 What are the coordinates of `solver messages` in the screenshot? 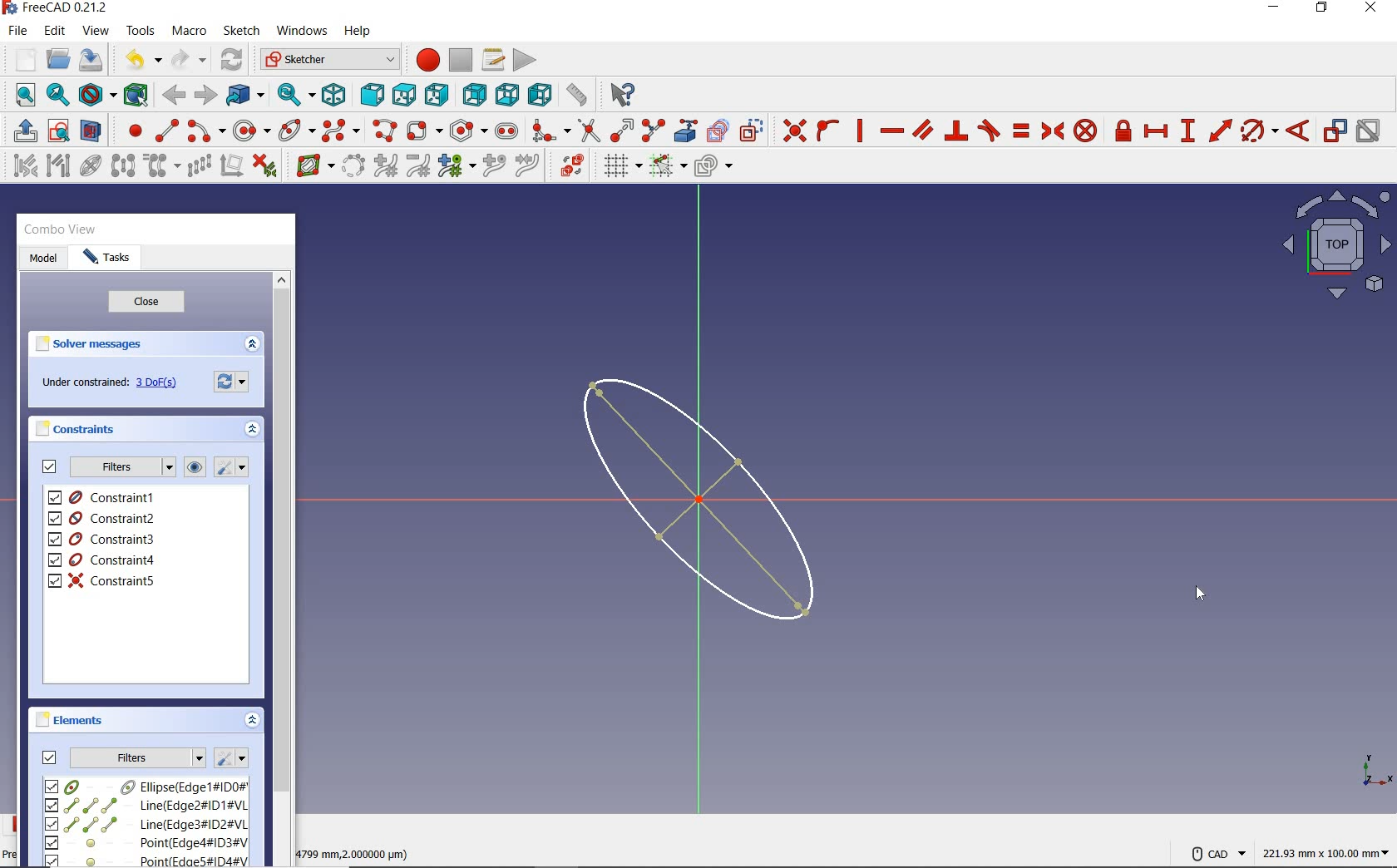 It's located at (90, 344).